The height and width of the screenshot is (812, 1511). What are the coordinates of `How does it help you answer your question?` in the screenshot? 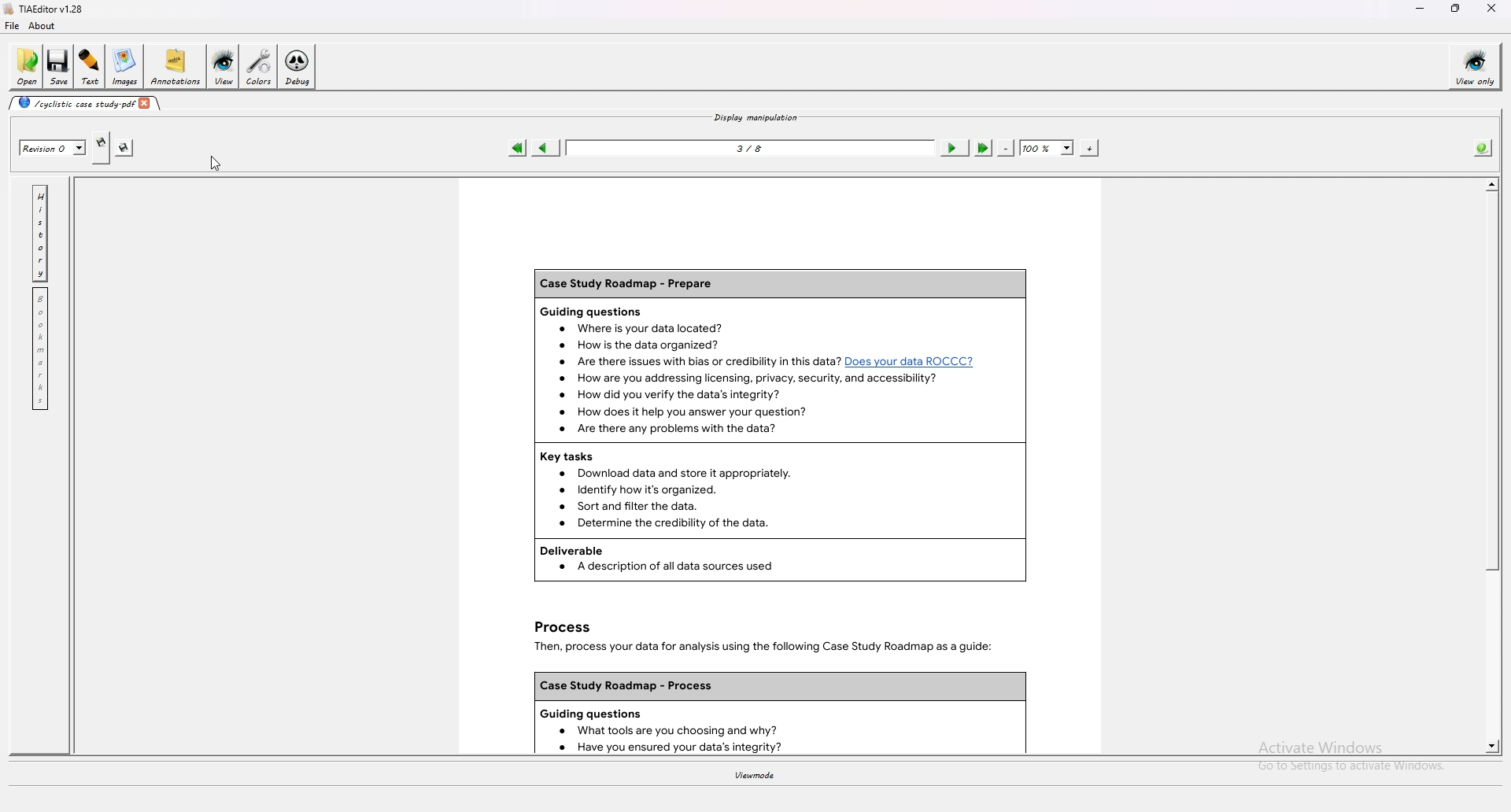 It's located at (694, 412).